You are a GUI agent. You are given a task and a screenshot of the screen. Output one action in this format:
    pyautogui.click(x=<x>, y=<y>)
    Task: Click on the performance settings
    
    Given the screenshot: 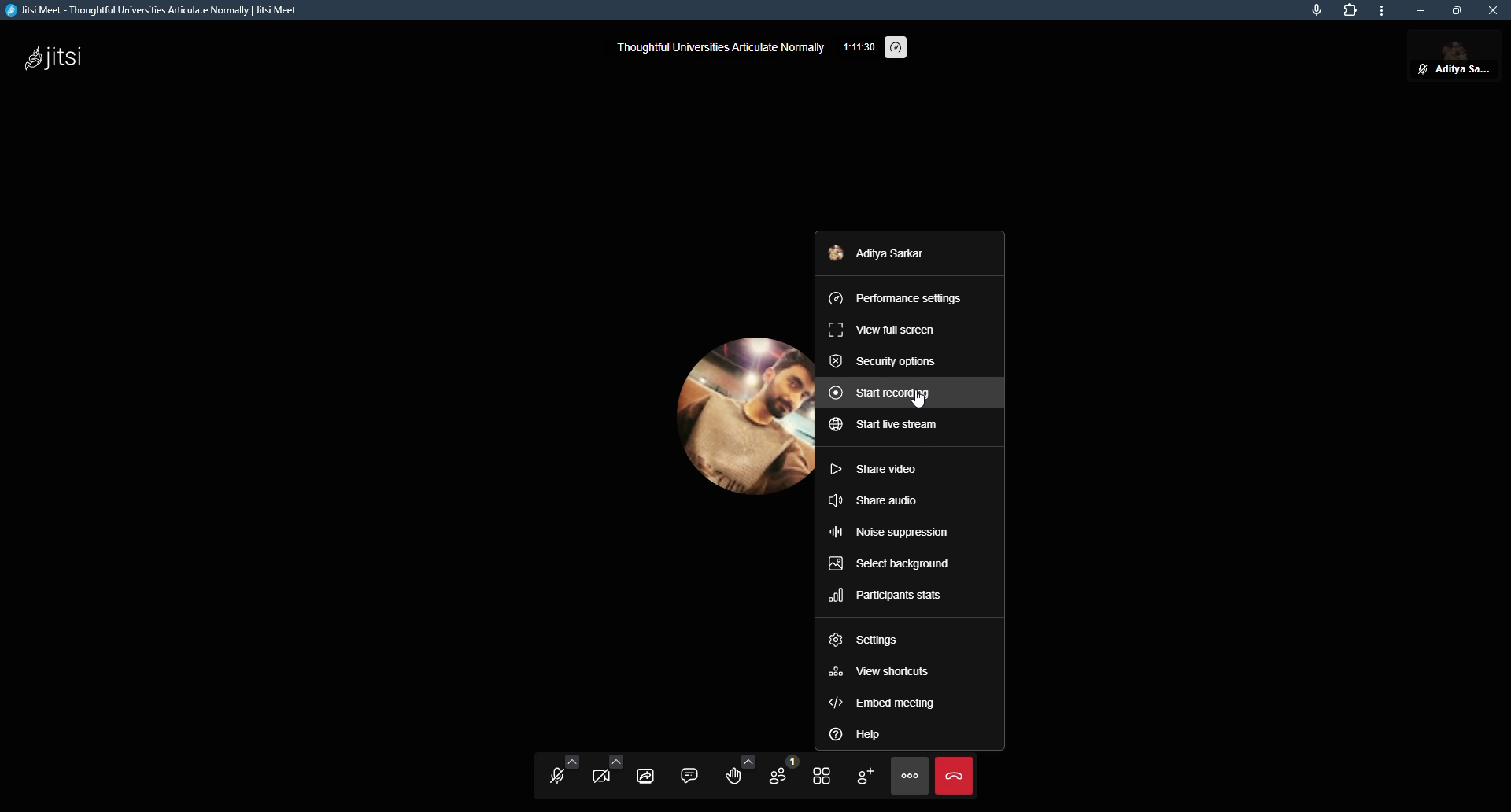 What is the action you would take?
    pyautogui.click(x=903, y=295)
    